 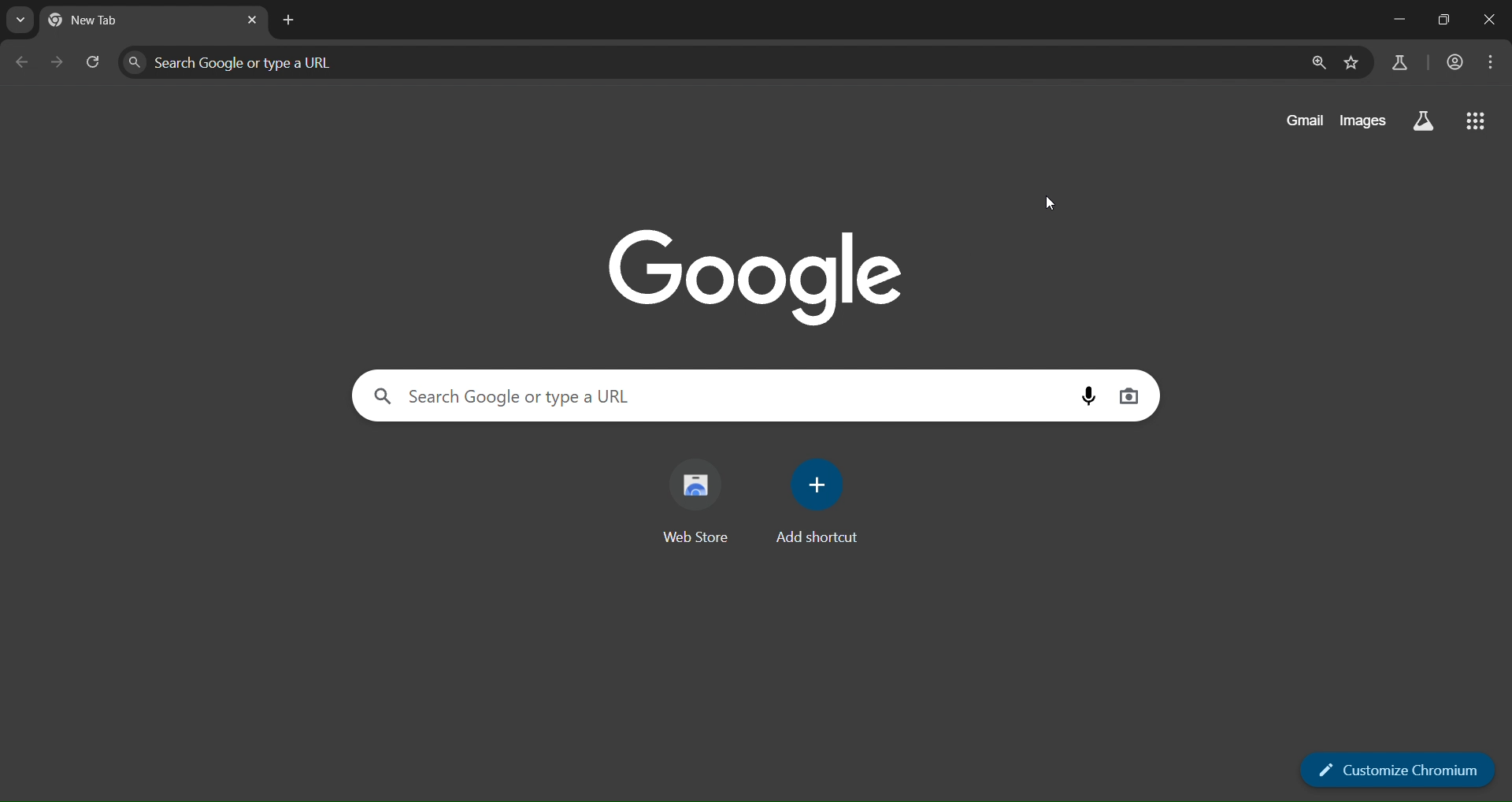 I want to click on add shortcut, so click(x=816, y=499).